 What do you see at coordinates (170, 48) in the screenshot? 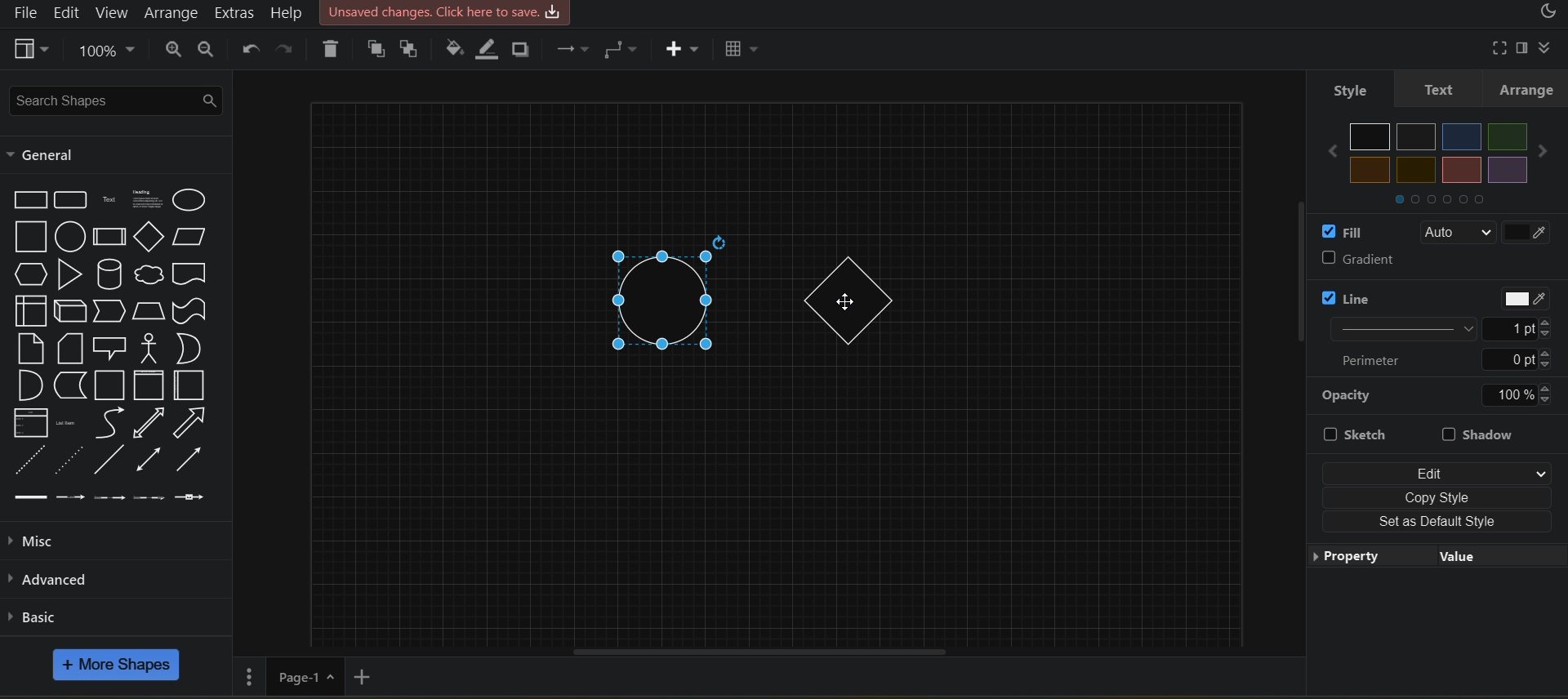
I see `zoom in` at bounding box center [170, 48].